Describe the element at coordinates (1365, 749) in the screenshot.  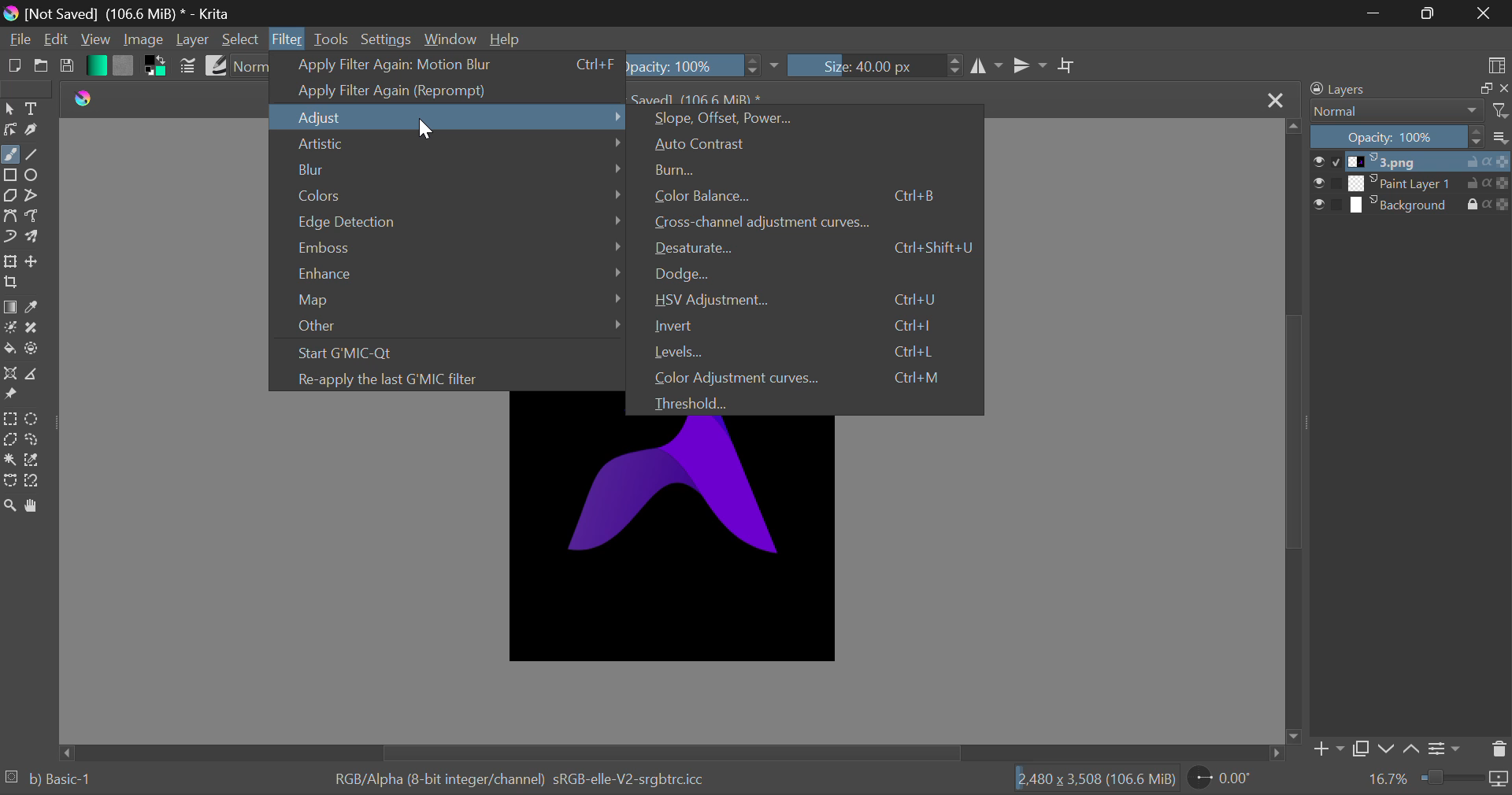
I see `Copy Layer` at that location.